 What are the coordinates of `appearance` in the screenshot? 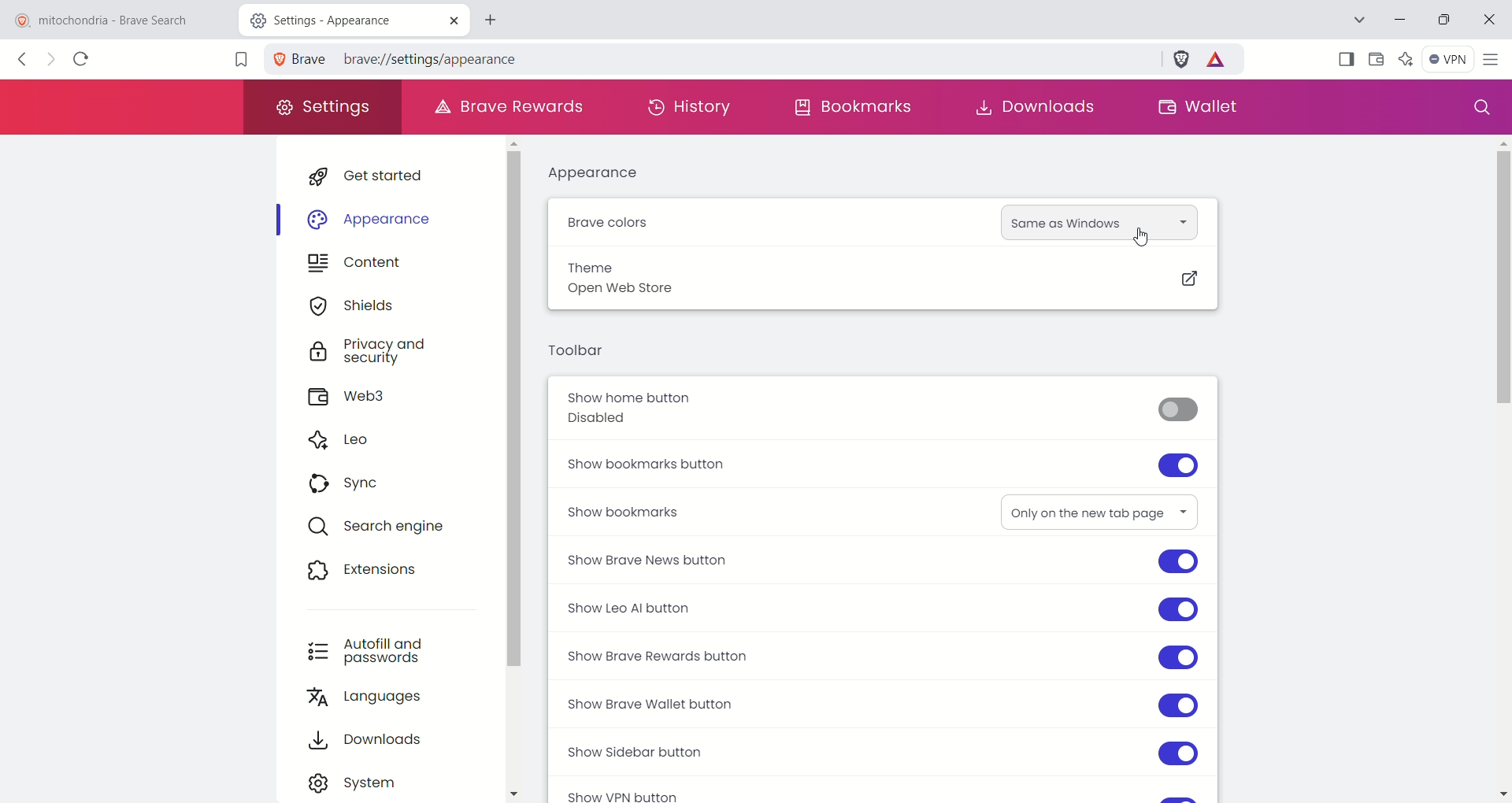 It's located at (598, 176).